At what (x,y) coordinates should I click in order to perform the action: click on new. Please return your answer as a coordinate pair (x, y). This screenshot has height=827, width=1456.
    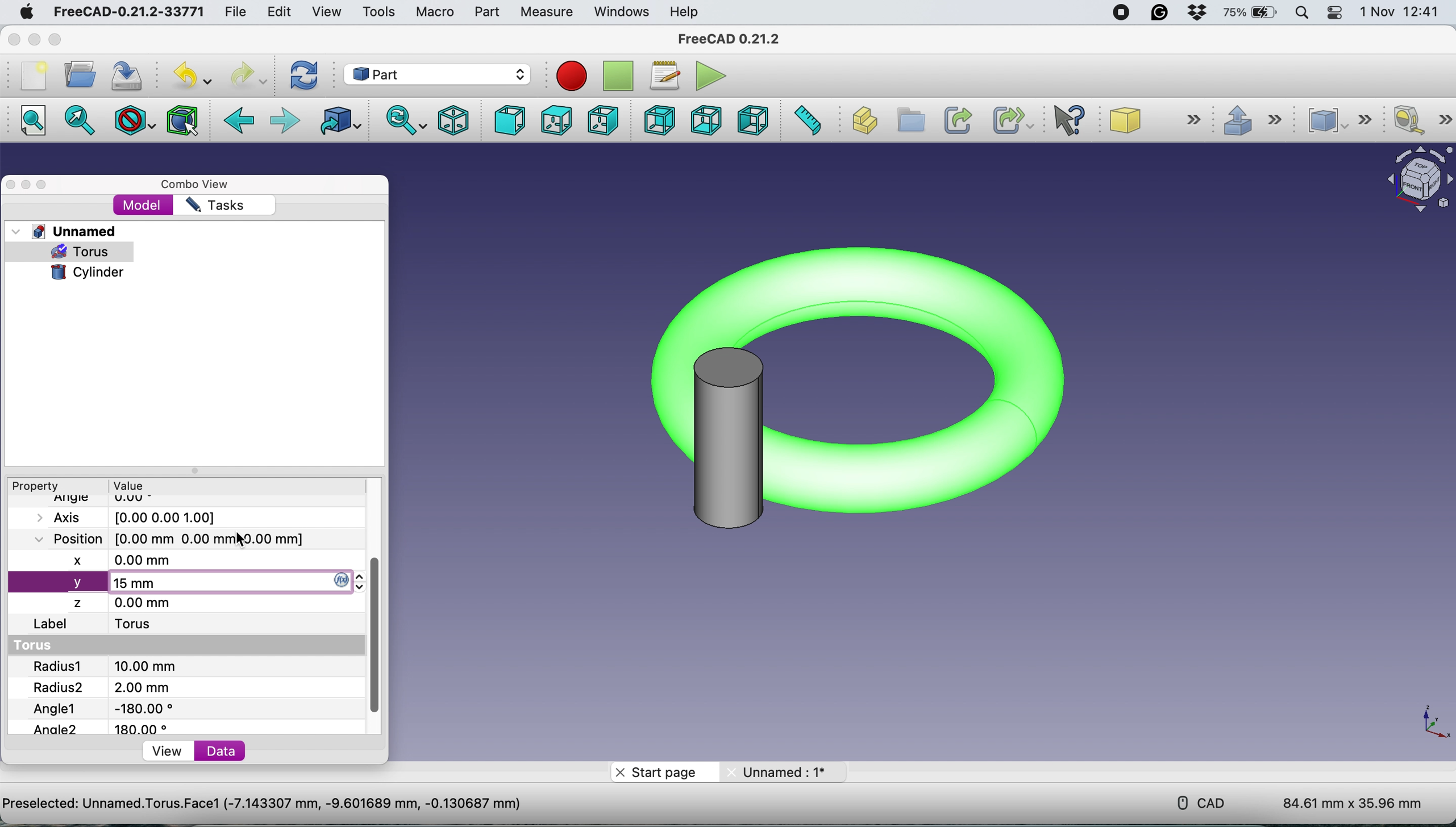
    Looking at the image, I should click on (33, 76).